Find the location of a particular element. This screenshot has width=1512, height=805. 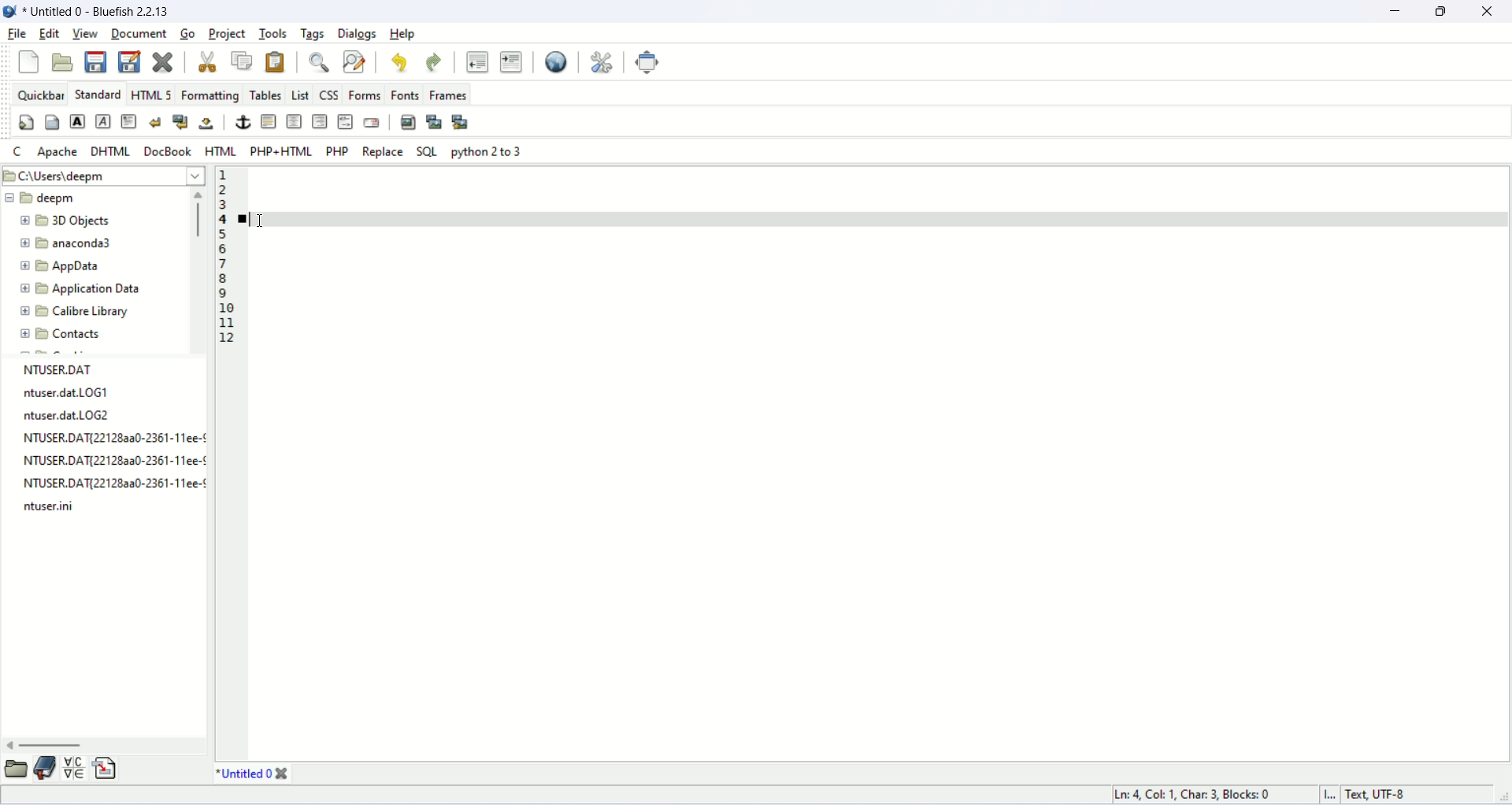

project is located at coordinates (228, 35).